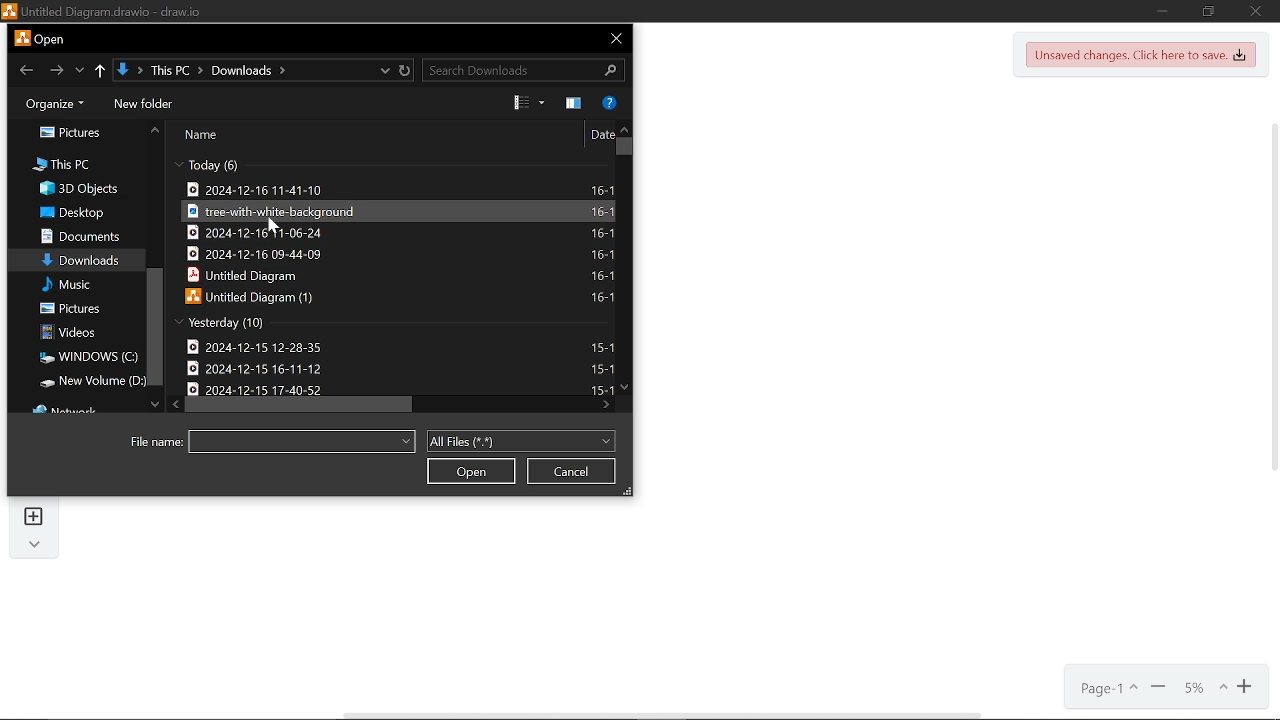  What do you see at coordinates (1166, 12) in the screenshot?
I see `Minimize` at bounding box center [1166, 12].